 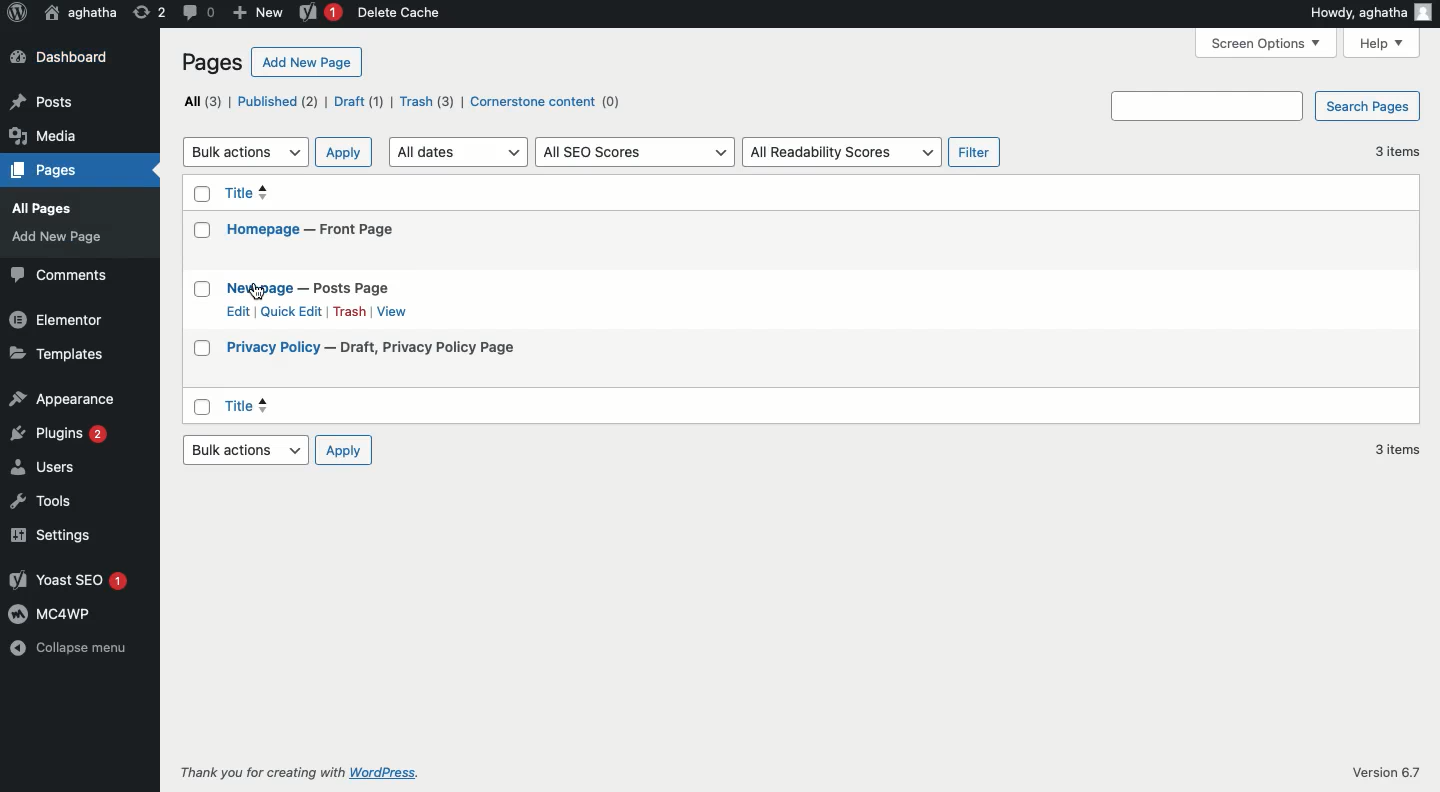 What do you see at coordinates (1403, 153) in the screenshot?
I see `3 items` at bounding box center [1403, 153].